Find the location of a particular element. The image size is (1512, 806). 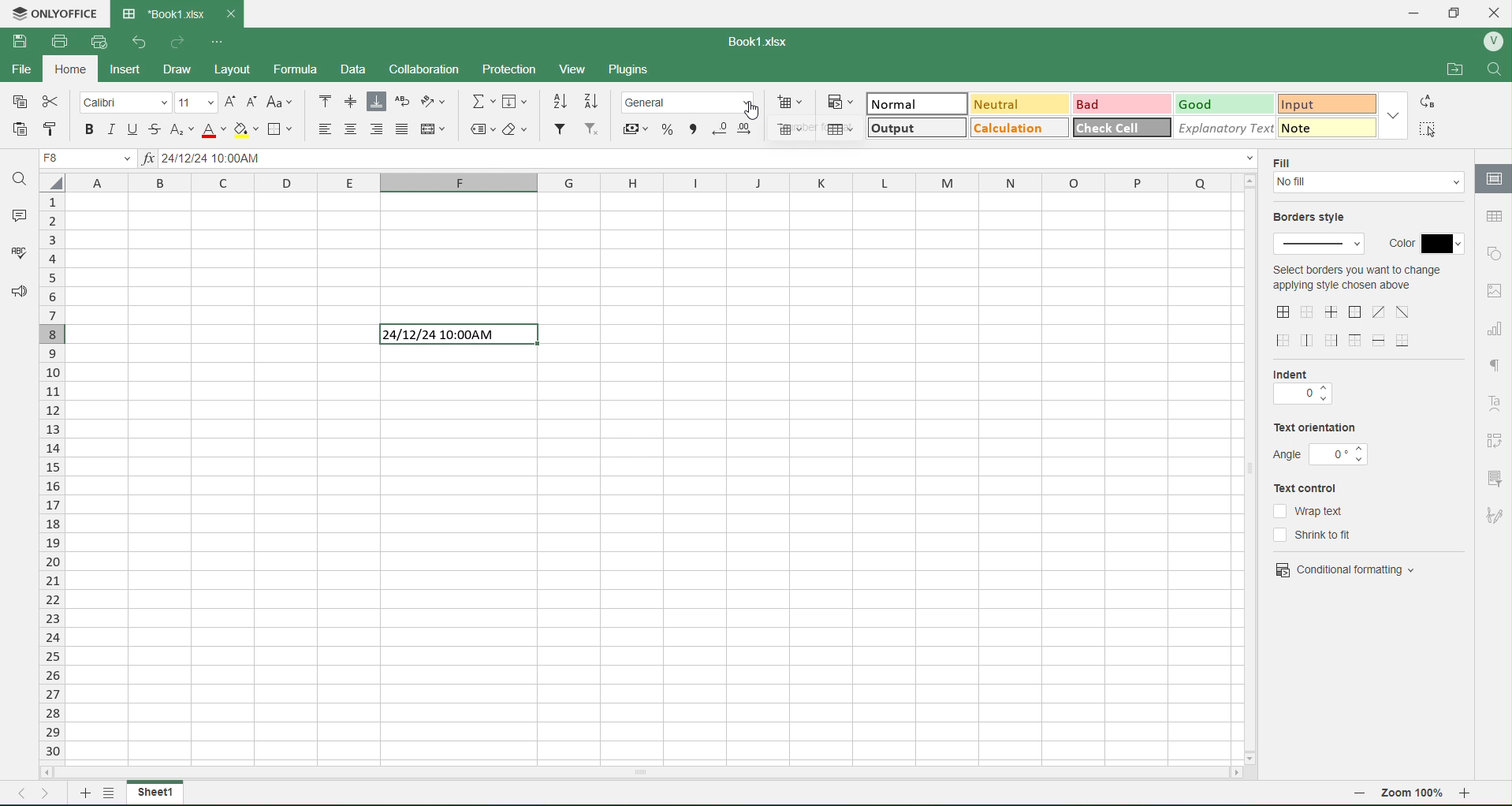

Borders is located at coordinates (284, 129).